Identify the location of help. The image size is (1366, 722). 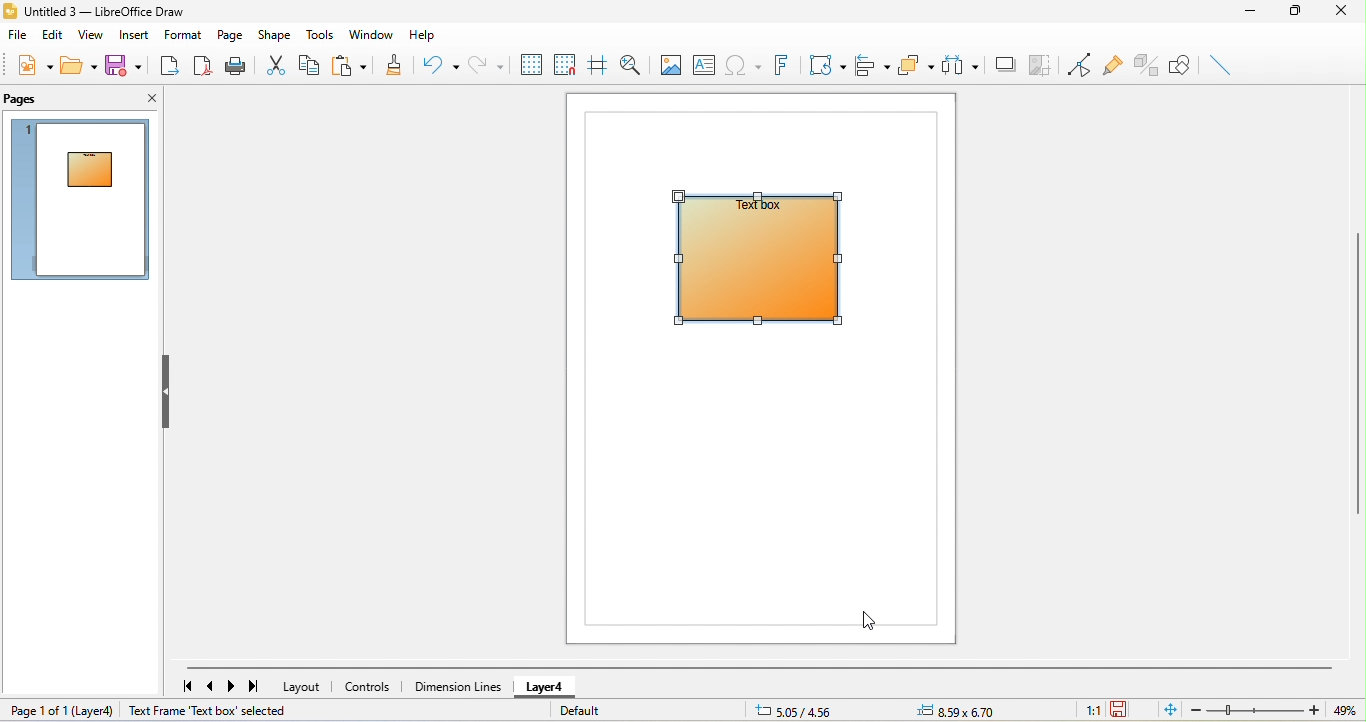
(421, 36).